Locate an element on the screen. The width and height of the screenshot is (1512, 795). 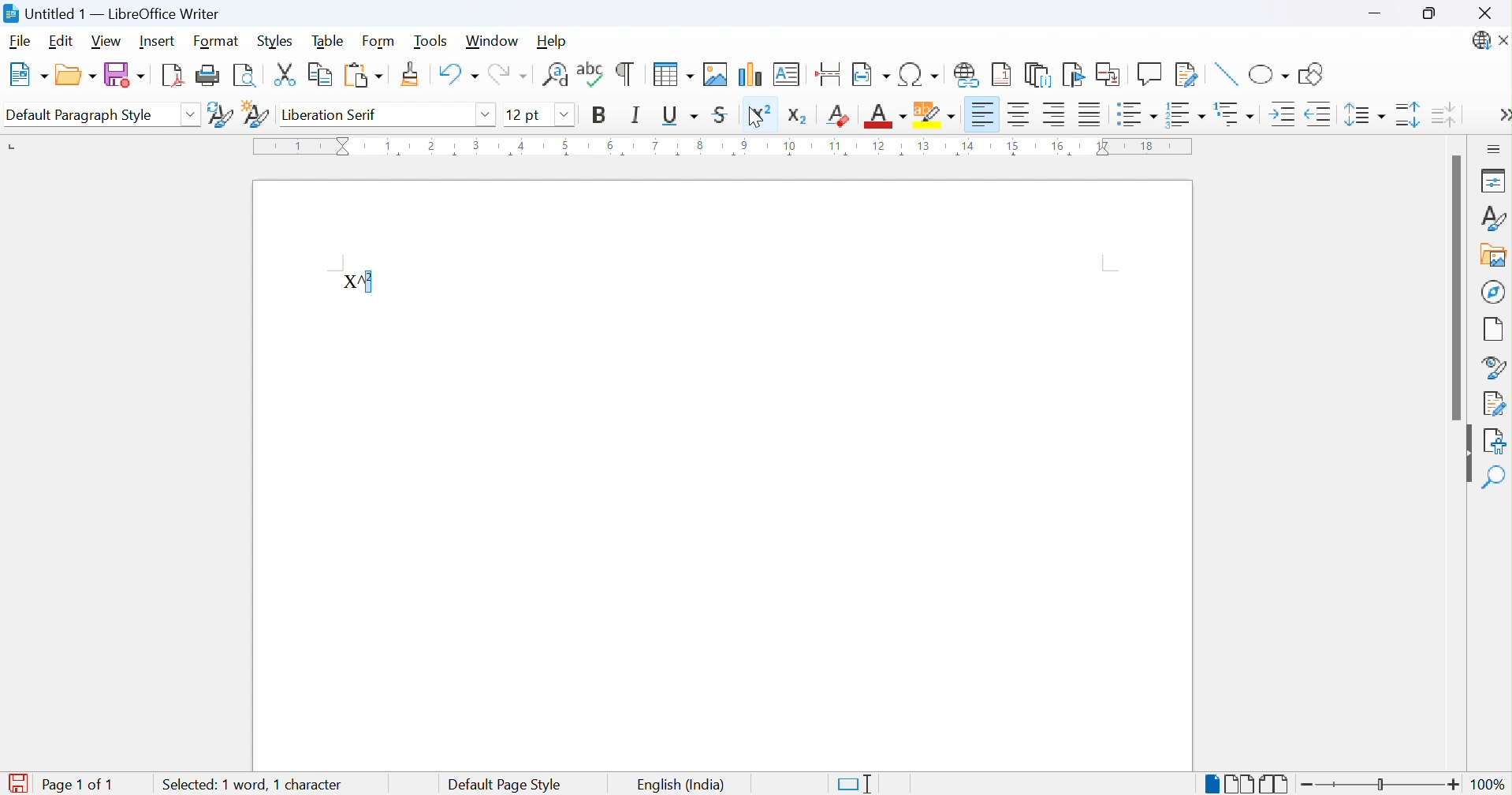
X^2 is located at coordinates (359, 282).